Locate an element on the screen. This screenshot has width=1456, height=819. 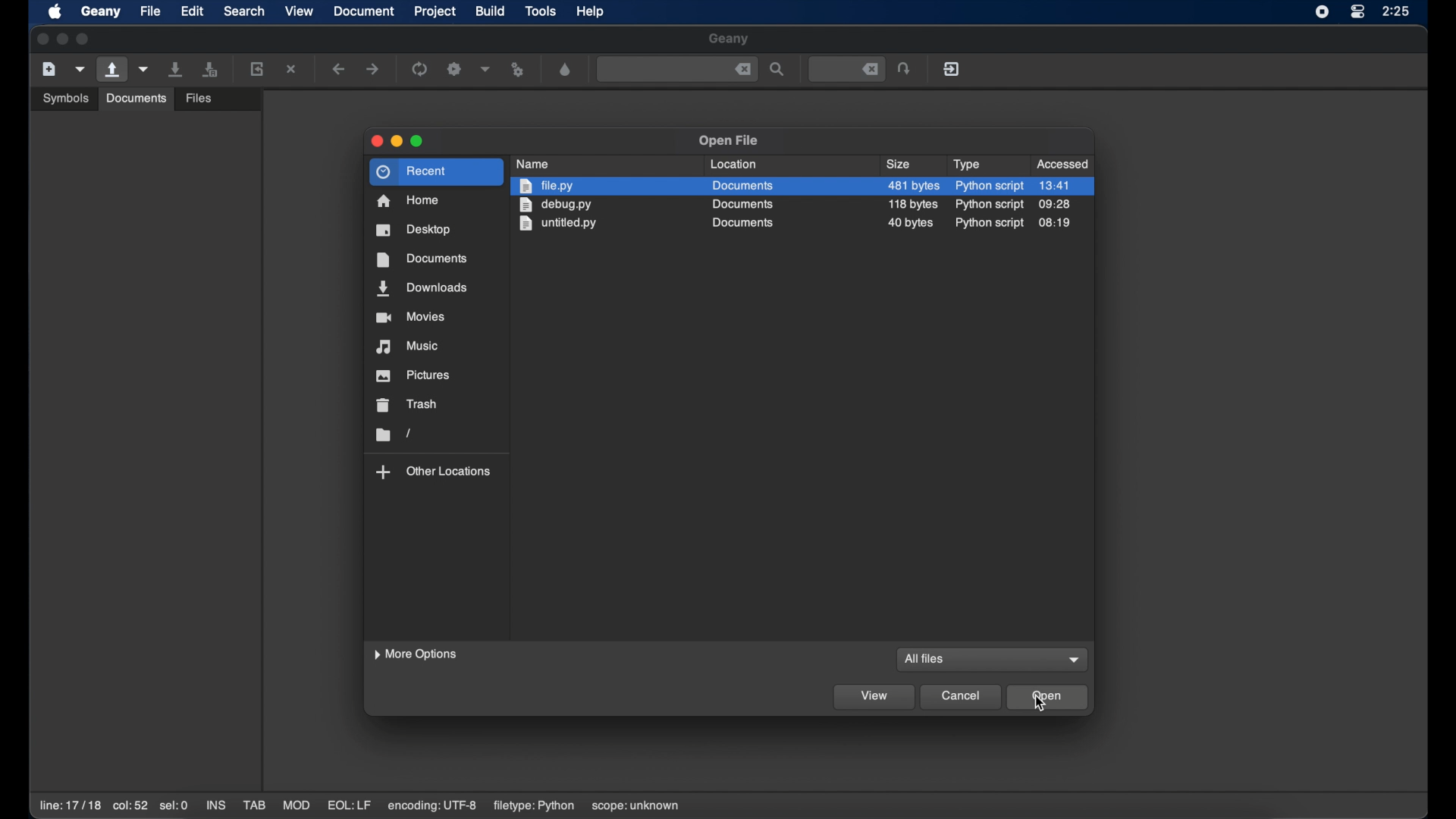
all files is located at coordinates (924, 660).